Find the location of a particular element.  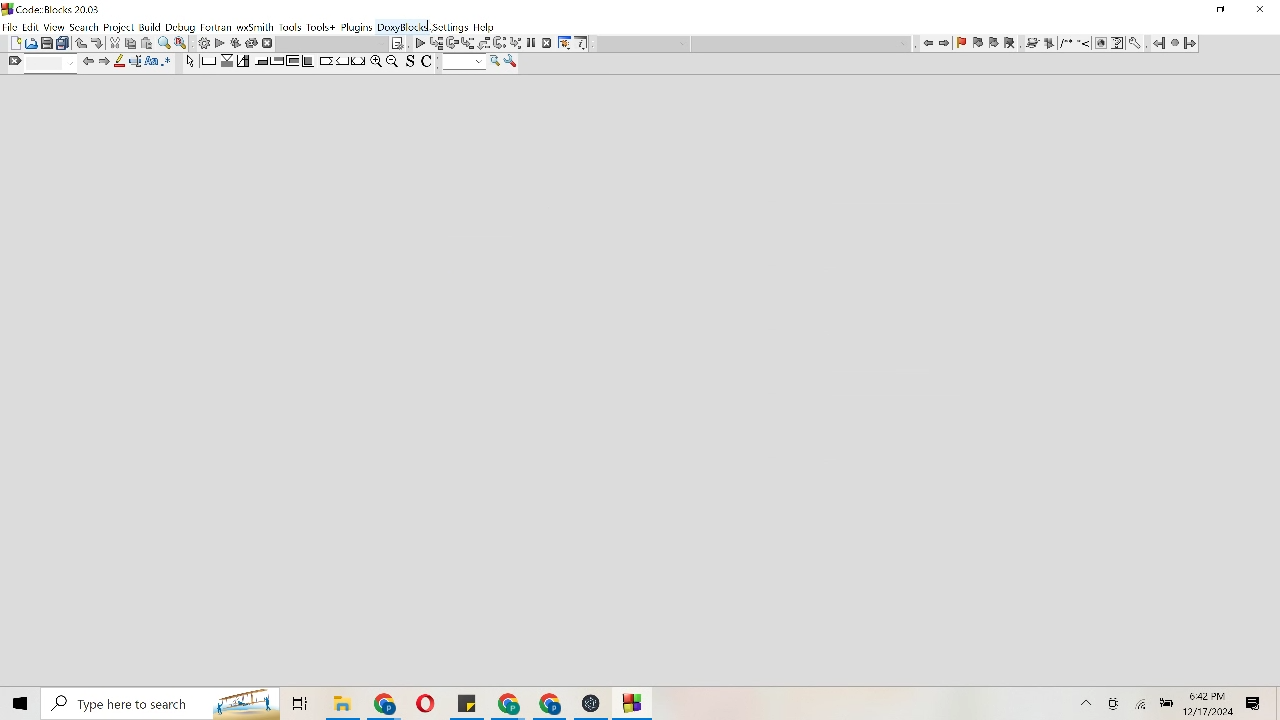

File is located at coordinates (591, 704).